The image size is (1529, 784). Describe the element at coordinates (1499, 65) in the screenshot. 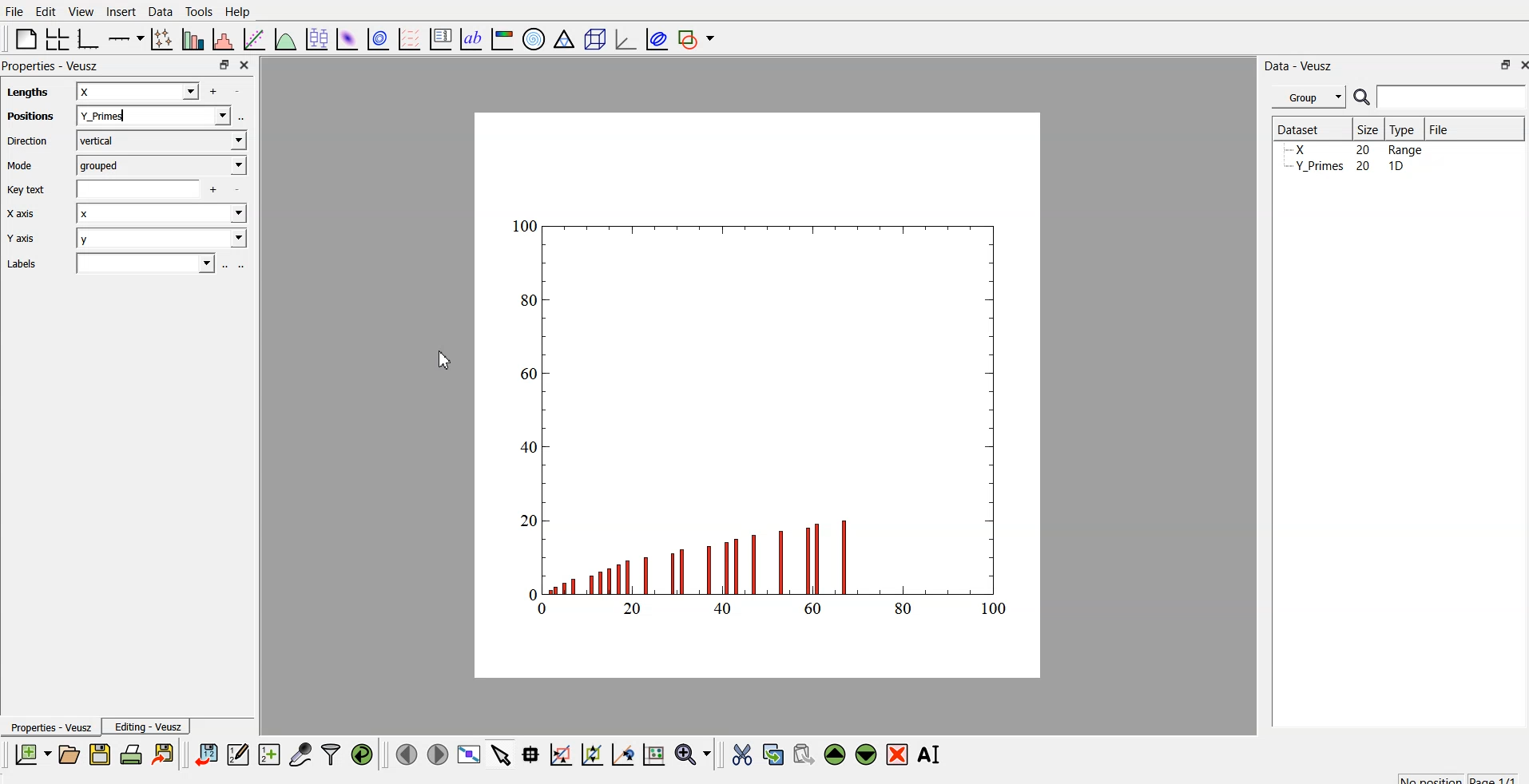

I see `maximize` at that location.